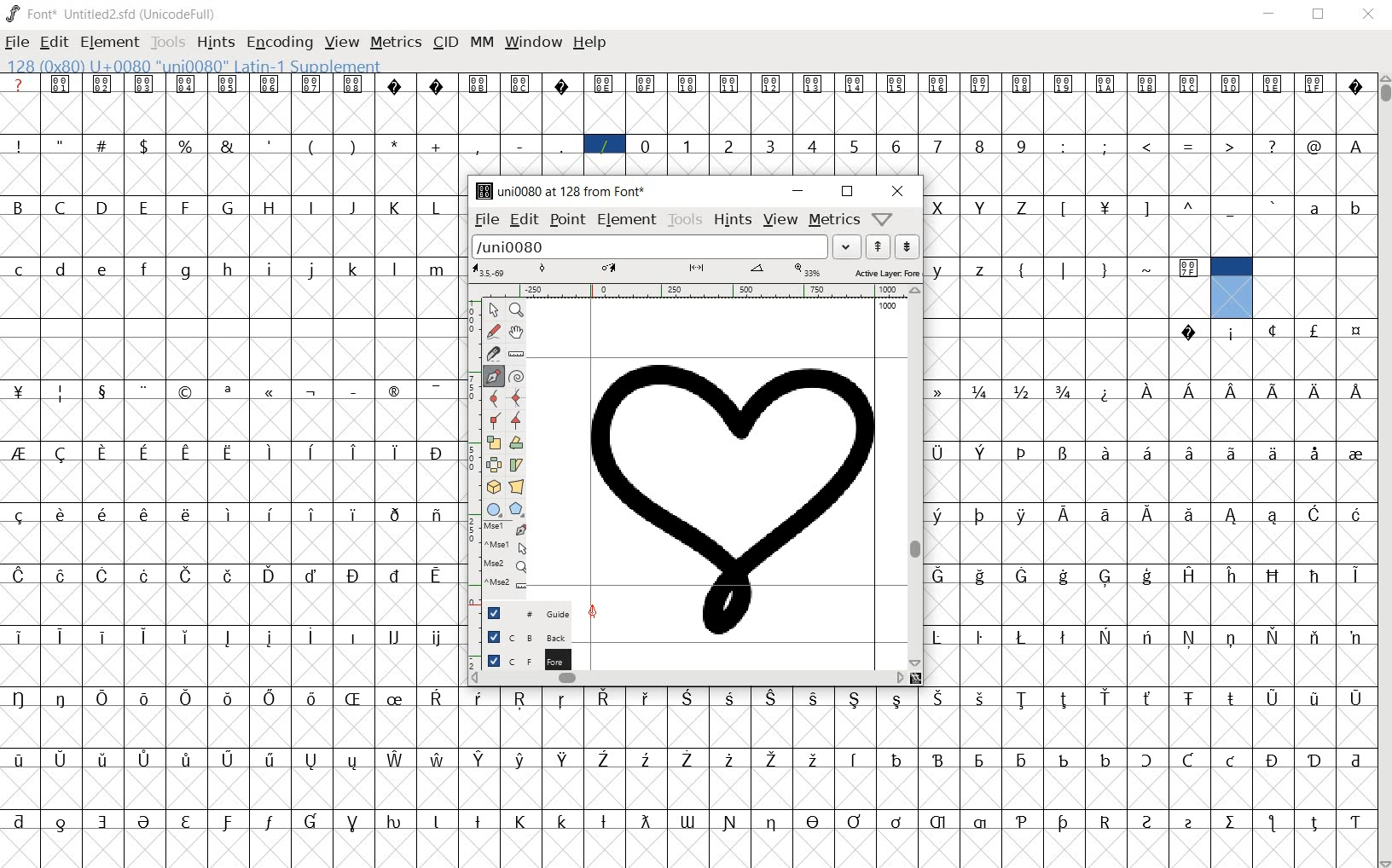 The image size is (1392, 868). Describe the element at coordinates (1105, 515) in the screenshot. I see `glyph` at that location.